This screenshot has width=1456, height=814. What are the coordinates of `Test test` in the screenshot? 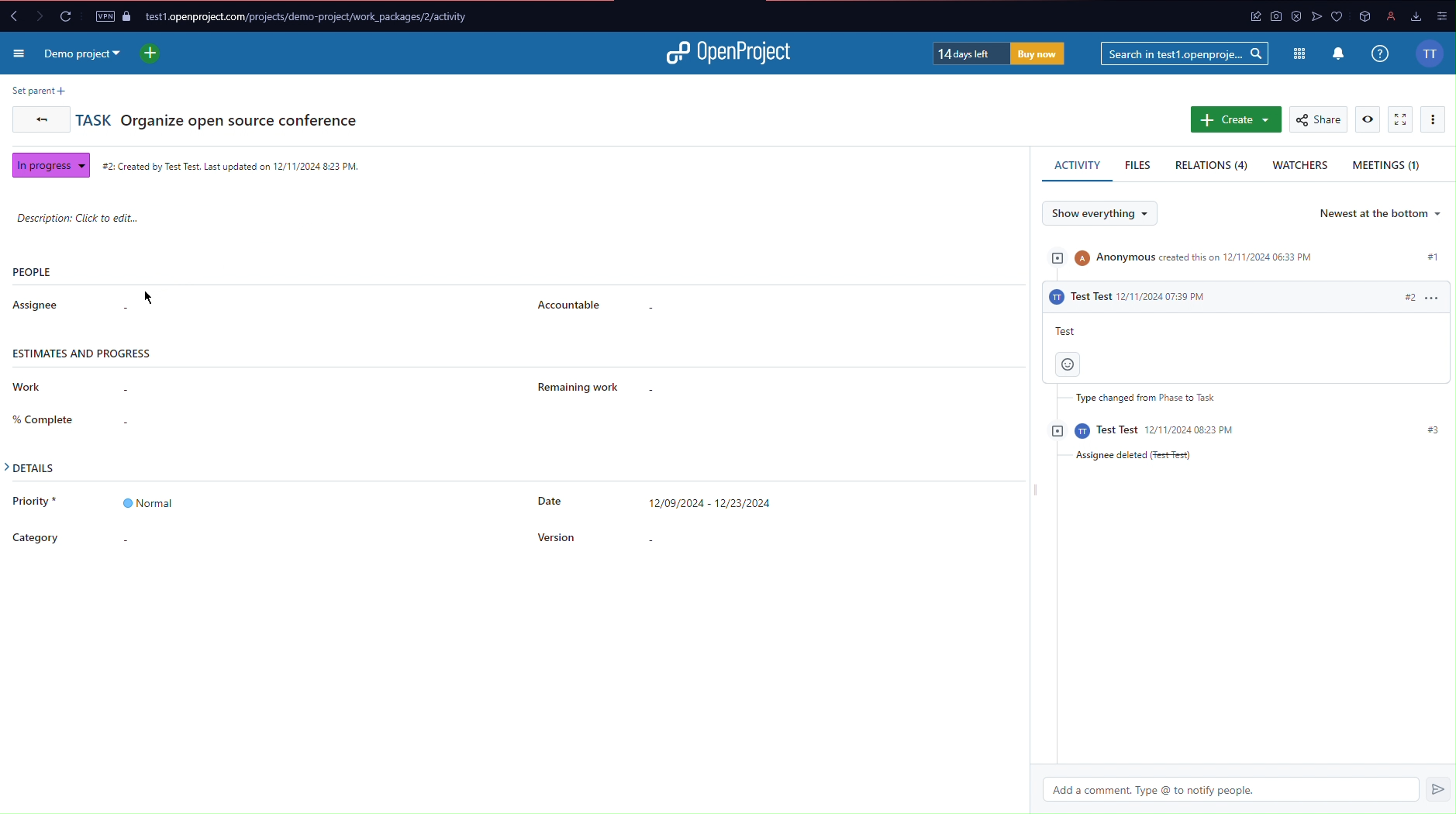 It's located at (1144, 432).